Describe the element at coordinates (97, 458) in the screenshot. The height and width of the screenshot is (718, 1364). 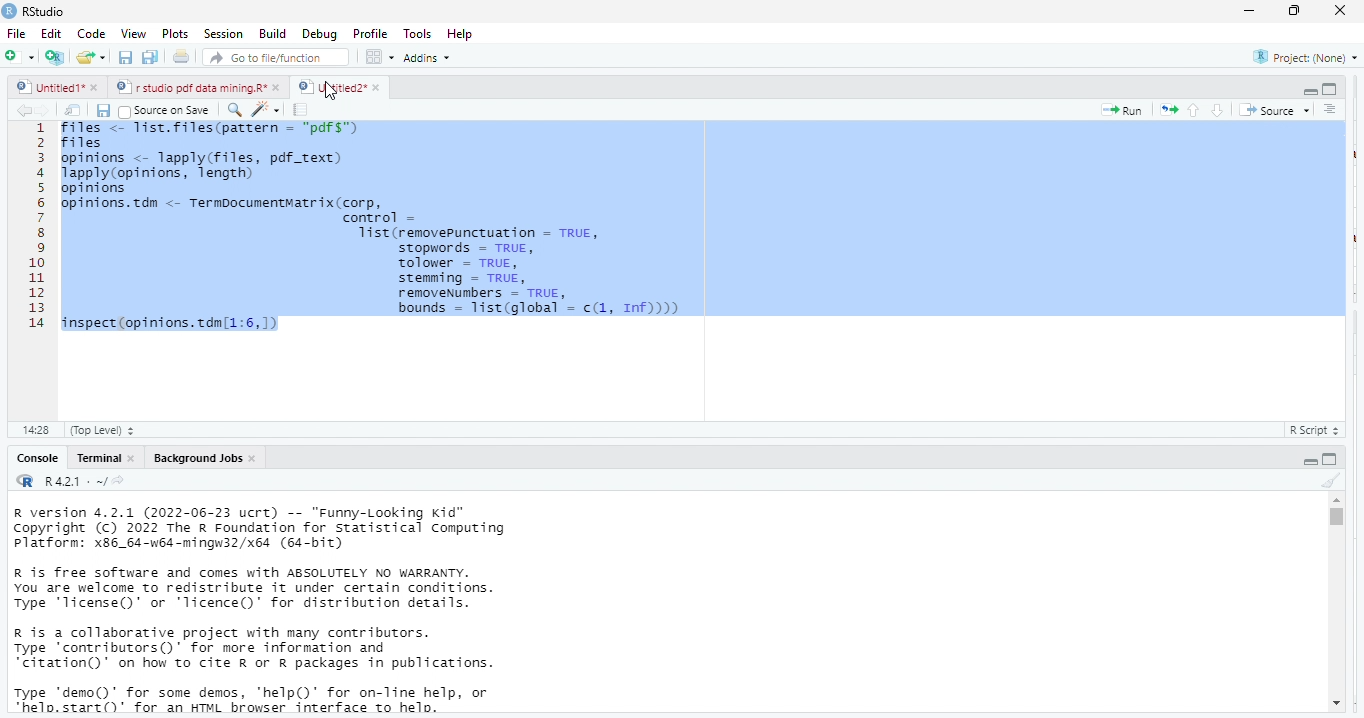
I see `terminal` at that location.